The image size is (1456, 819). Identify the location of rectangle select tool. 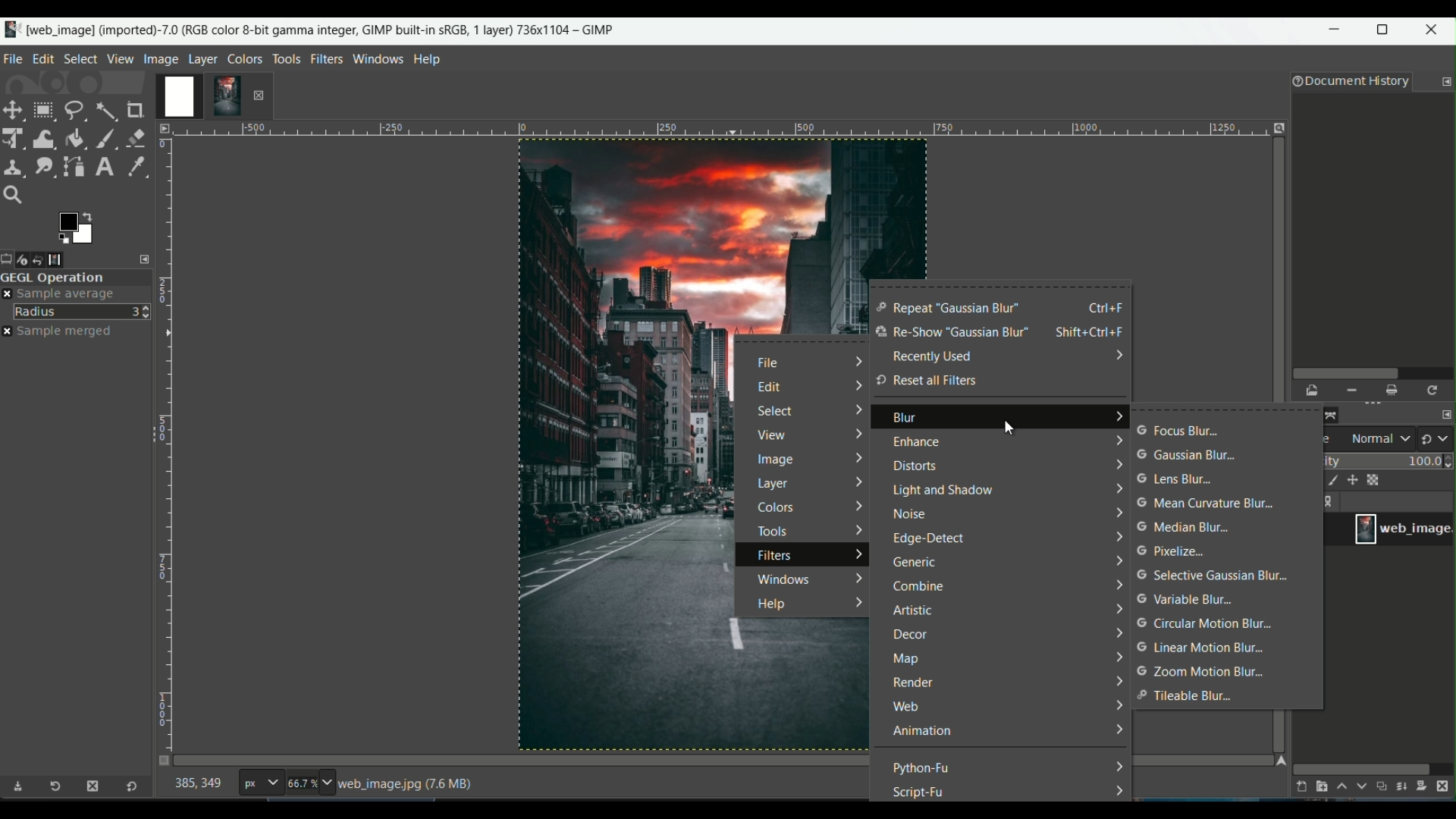
(42, 110).